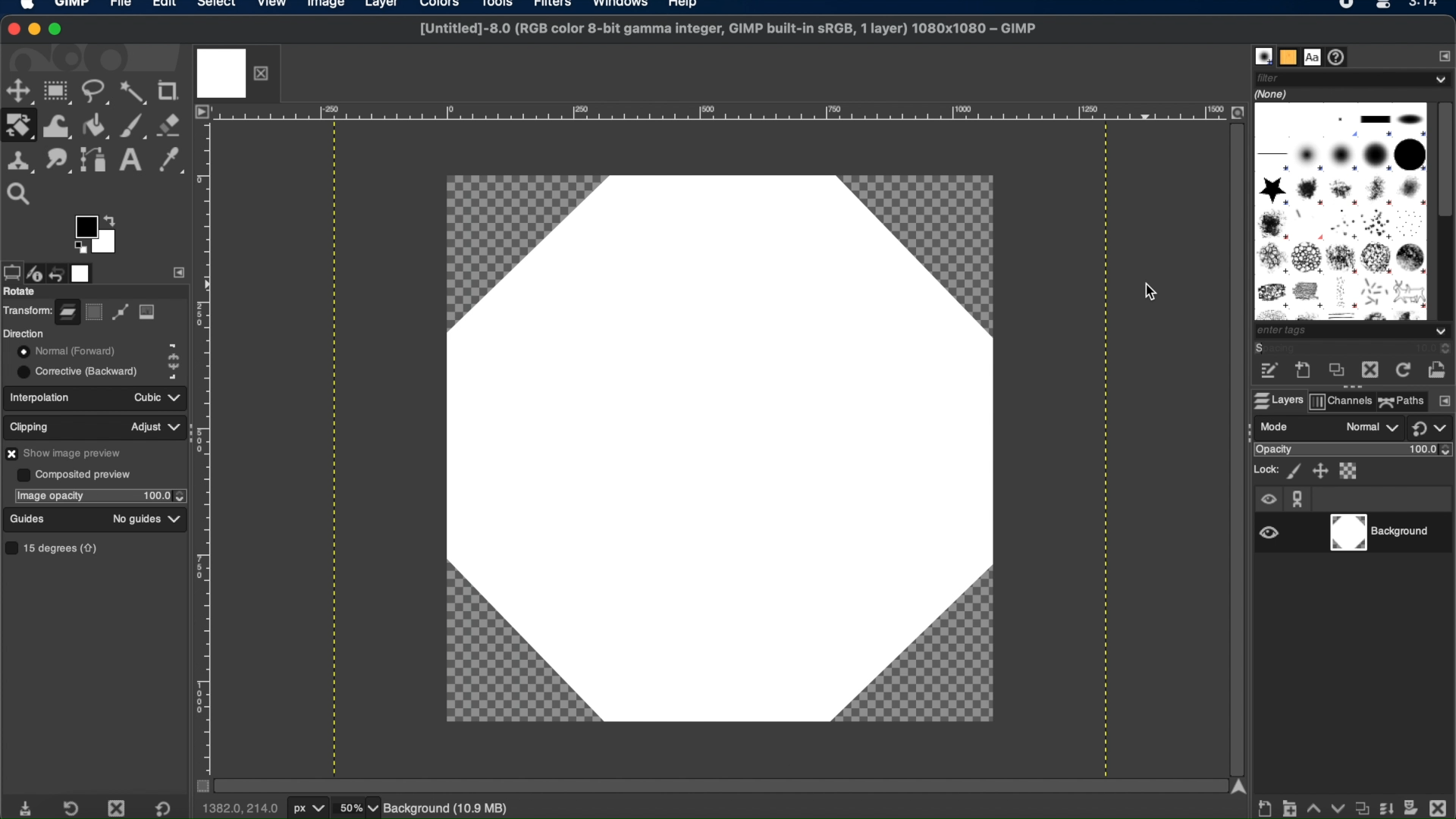  Describe the element at coordinates (95, 312) in the screenshot. I see `selection ` at that location.